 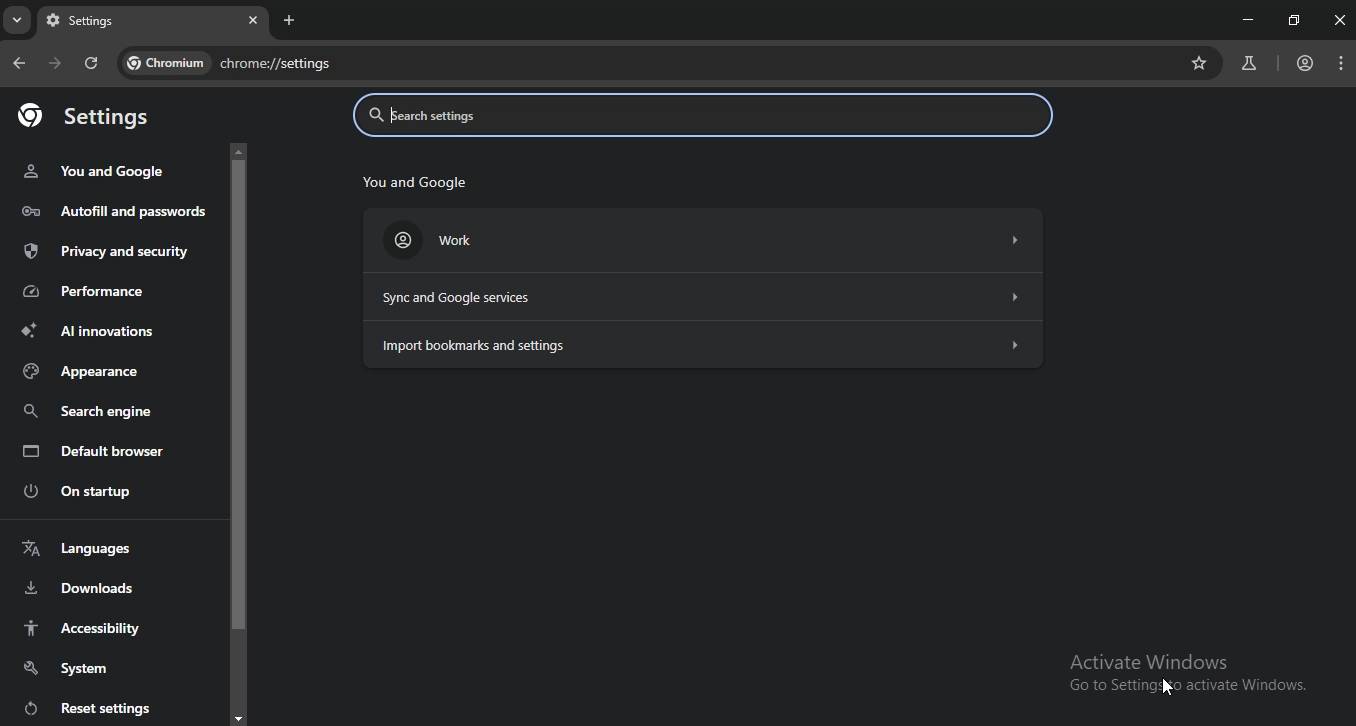 What do you see at coordinates (239, 431) in the screenshot?
I see `scrall bar` at bounding box center [239, 431].